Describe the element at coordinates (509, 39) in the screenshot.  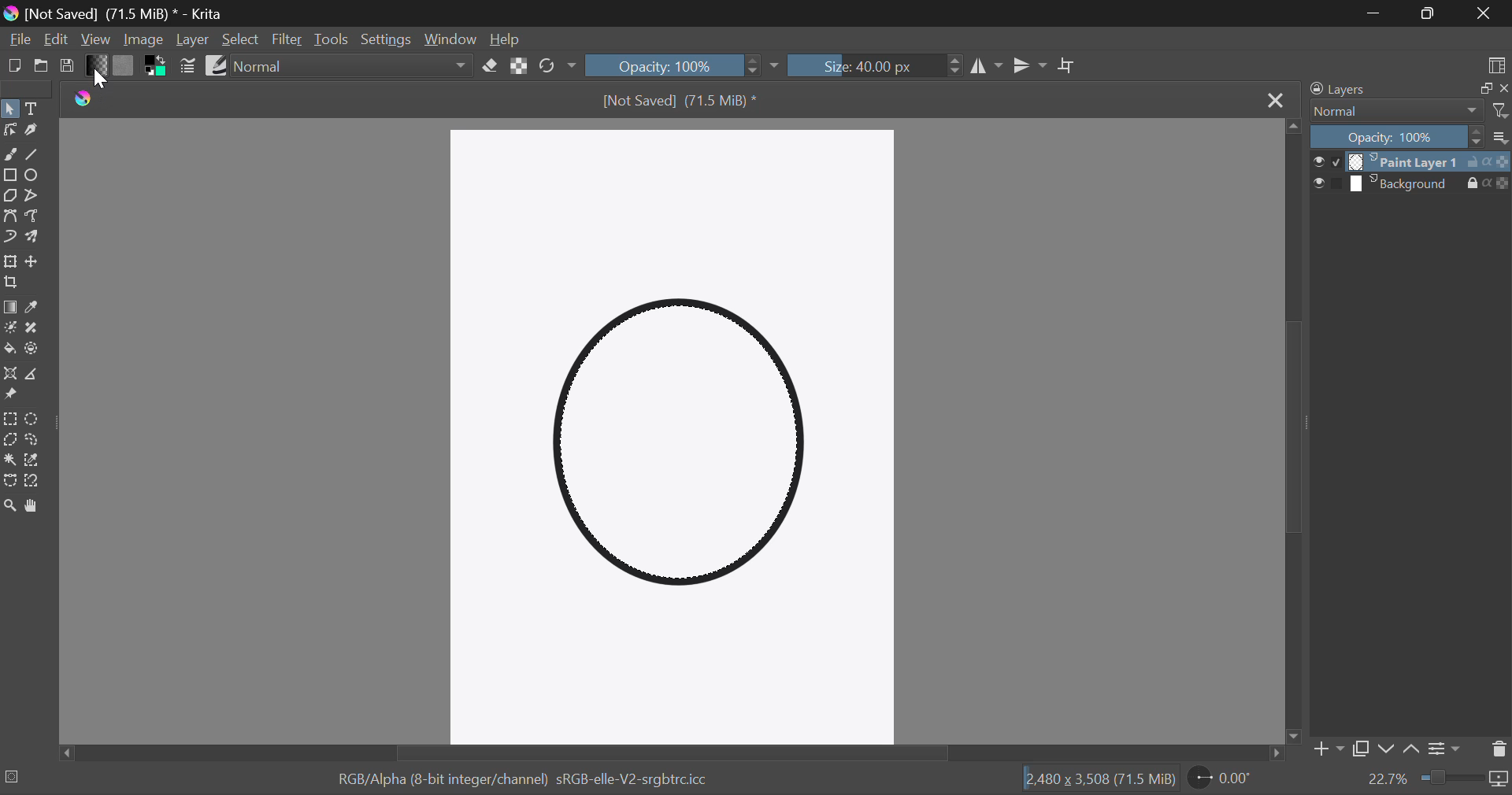
I see `Help` at that location.